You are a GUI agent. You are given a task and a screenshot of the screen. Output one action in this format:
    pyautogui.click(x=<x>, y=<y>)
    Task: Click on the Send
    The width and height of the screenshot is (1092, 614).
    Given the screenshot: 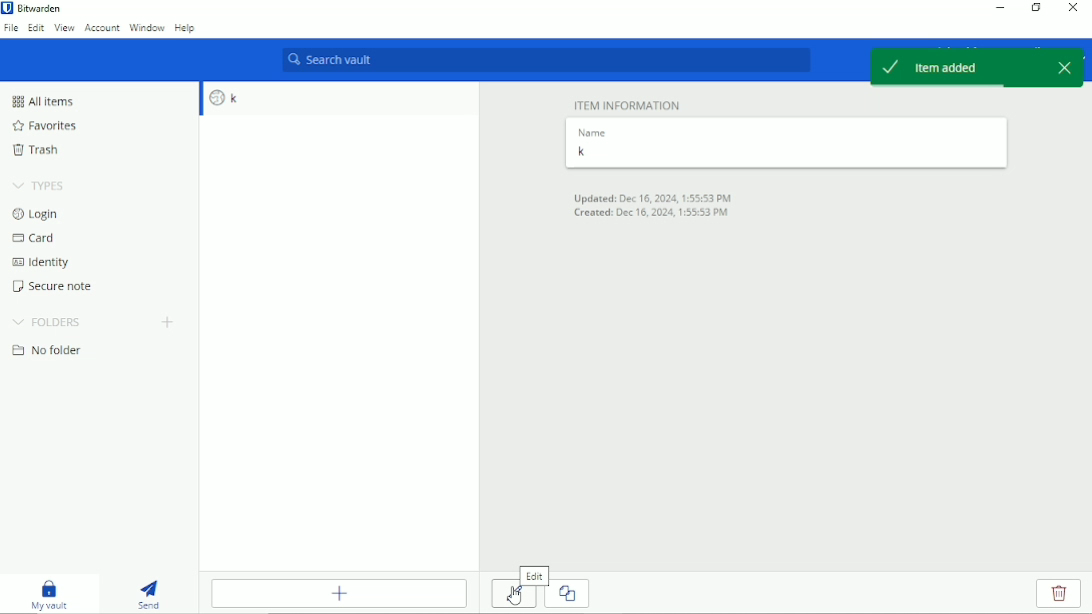 What is the action you would take?
    pyautogui.click(x=147, y=595)
    